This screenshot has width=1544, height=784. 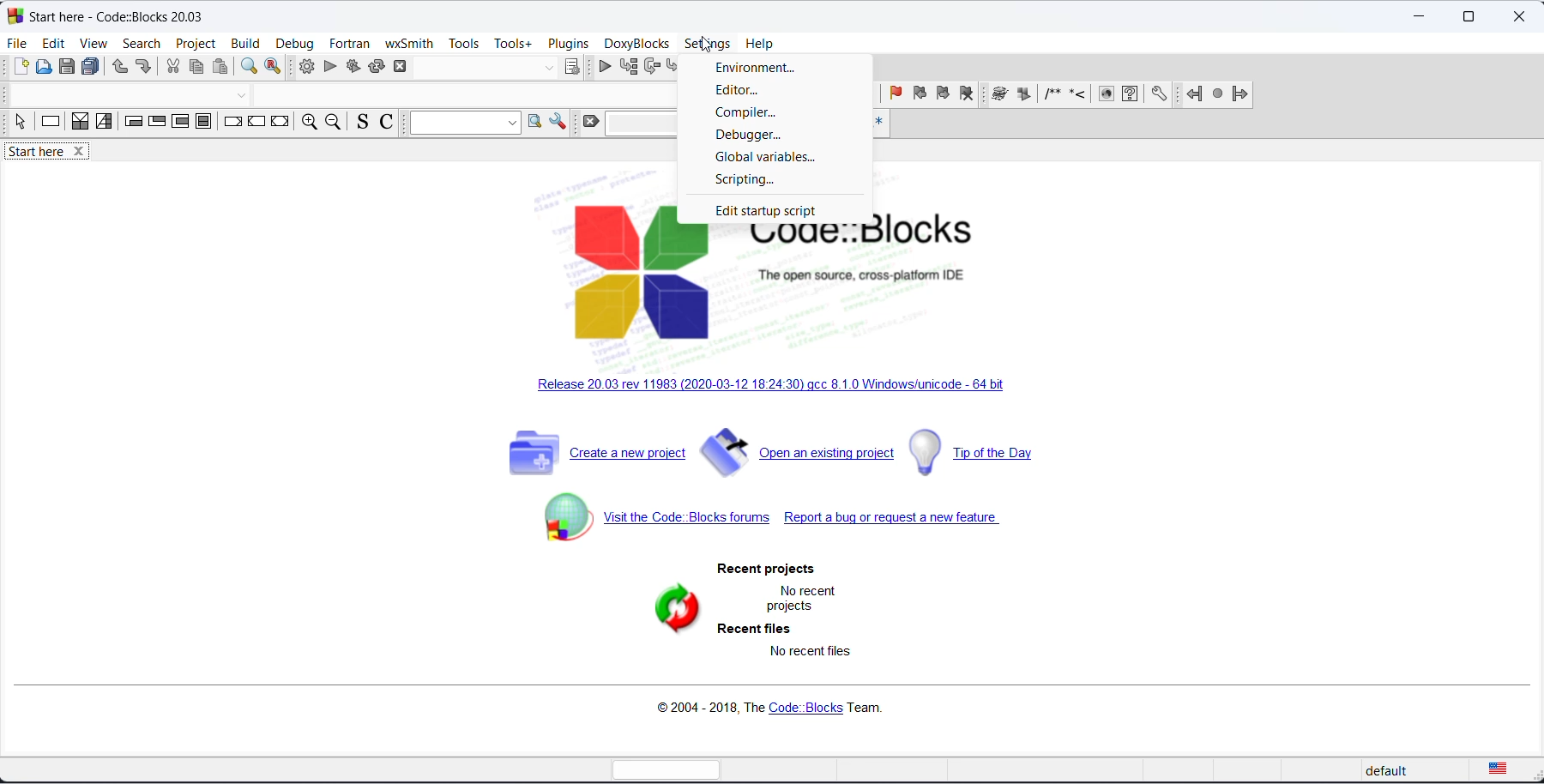 What do you see at coordinates (90, 68) in the screenshot?
I see `save all` at bounding box center [90, 68].